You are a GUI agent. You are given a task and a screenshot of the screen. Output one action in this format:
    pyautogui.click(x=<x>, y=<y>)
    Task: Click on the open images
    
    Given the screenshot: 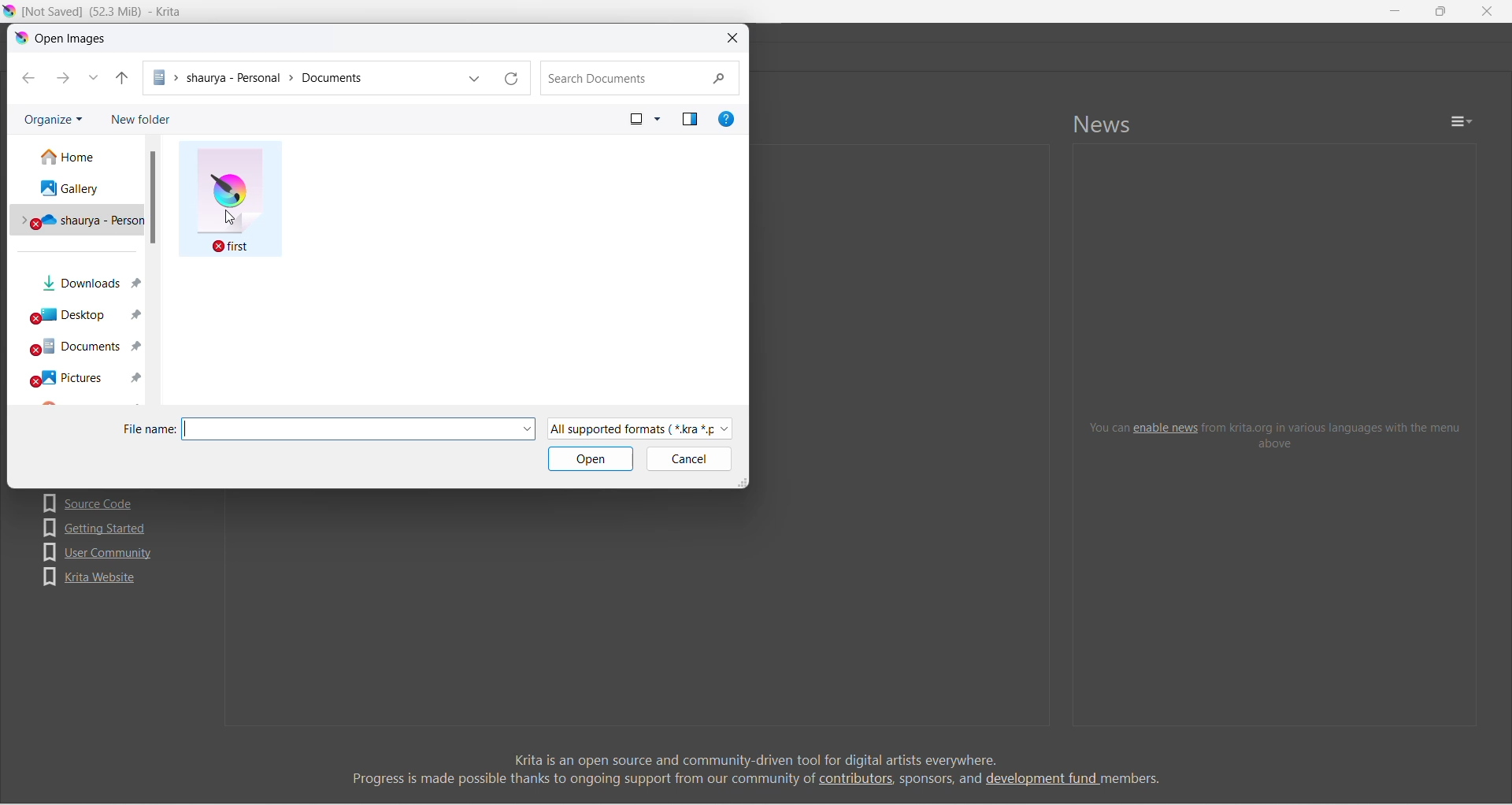 What is the action you would take?
    pyautogui.click(x=63, y=39)
    